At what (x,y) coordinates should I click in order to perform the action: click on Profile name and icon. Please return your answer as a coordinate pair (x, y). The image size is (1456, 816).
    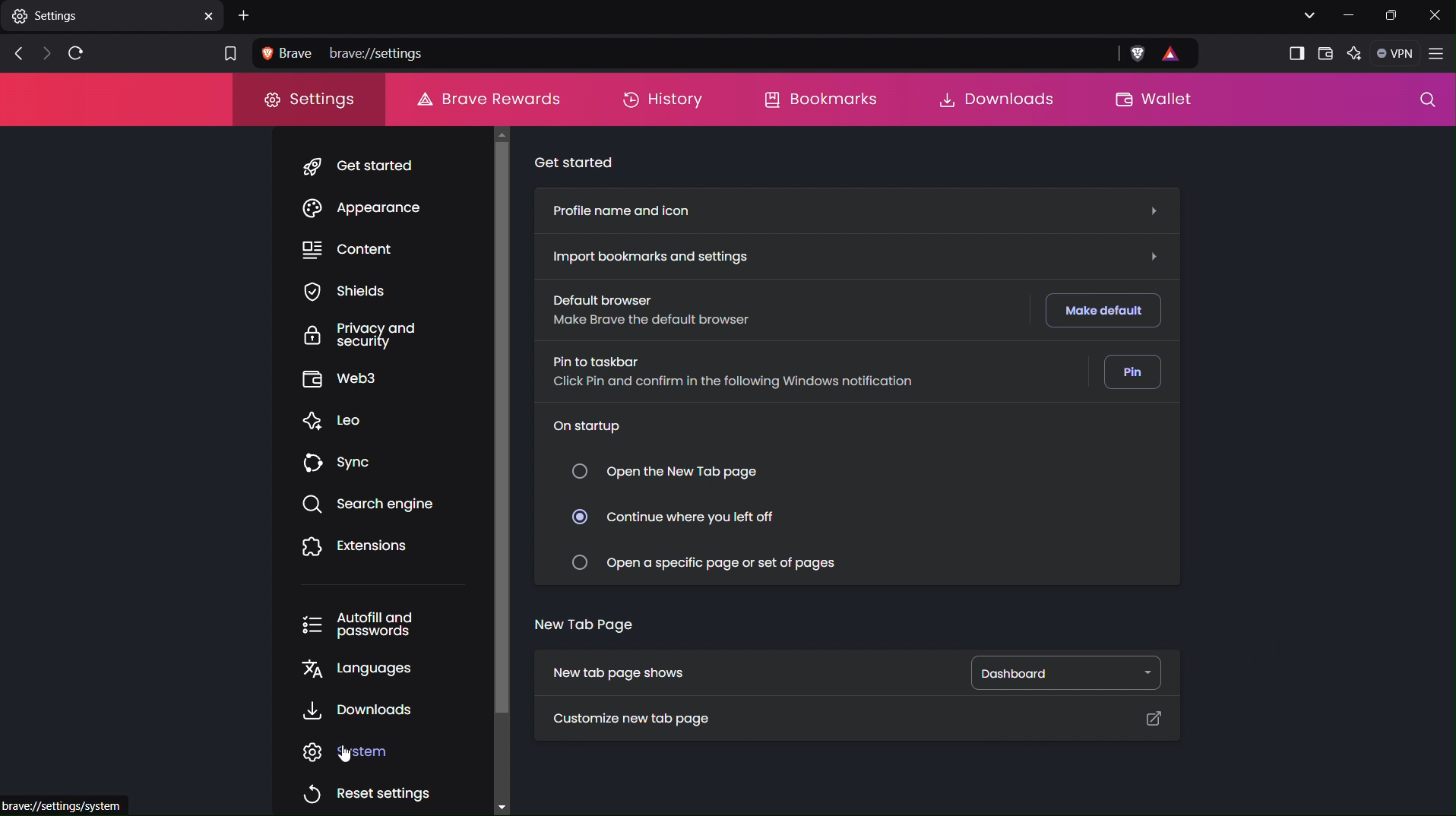
    Looking at the image, I should click on (624, 213).